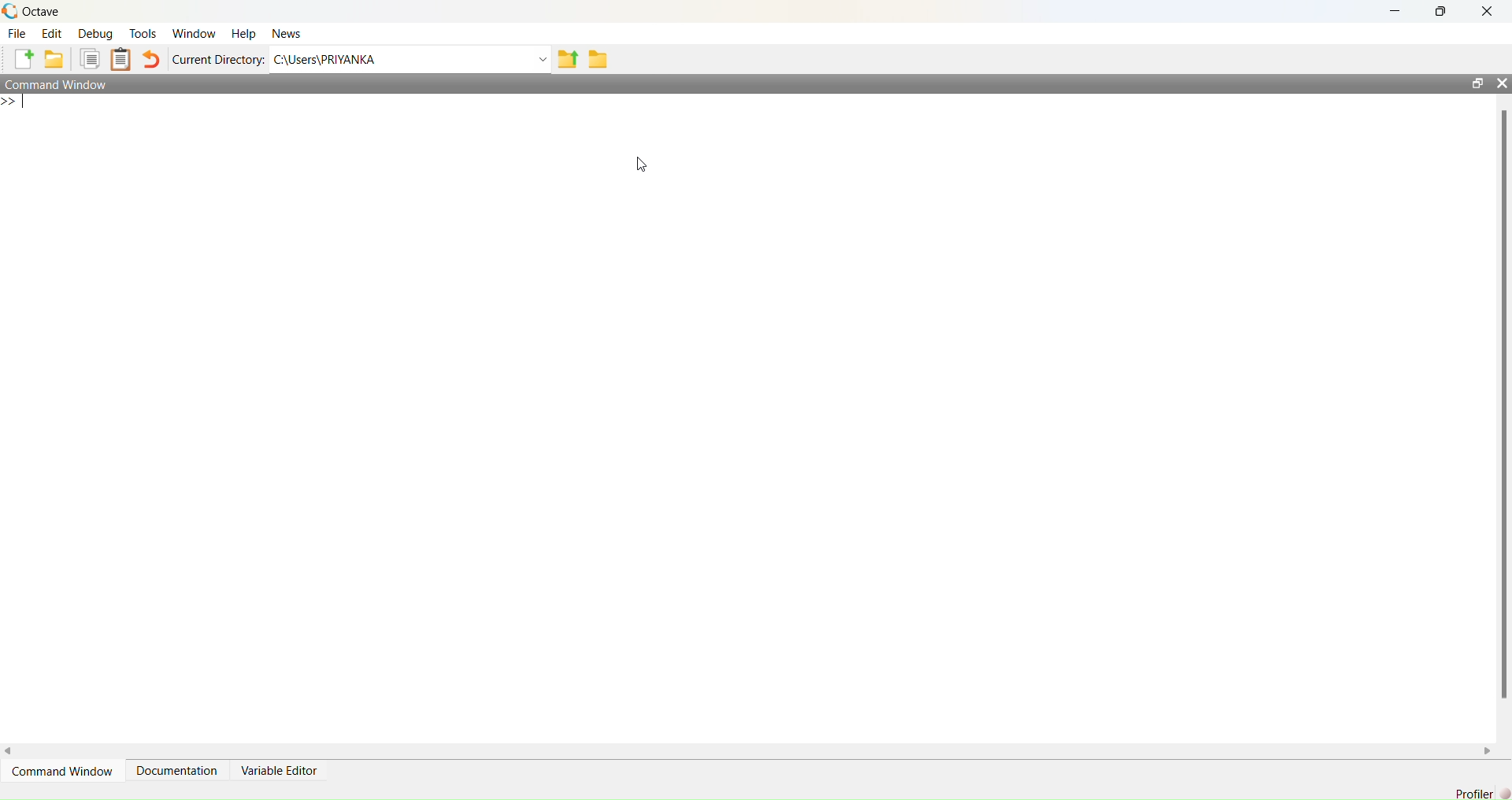  I want to click on edit, so click(52, 32).